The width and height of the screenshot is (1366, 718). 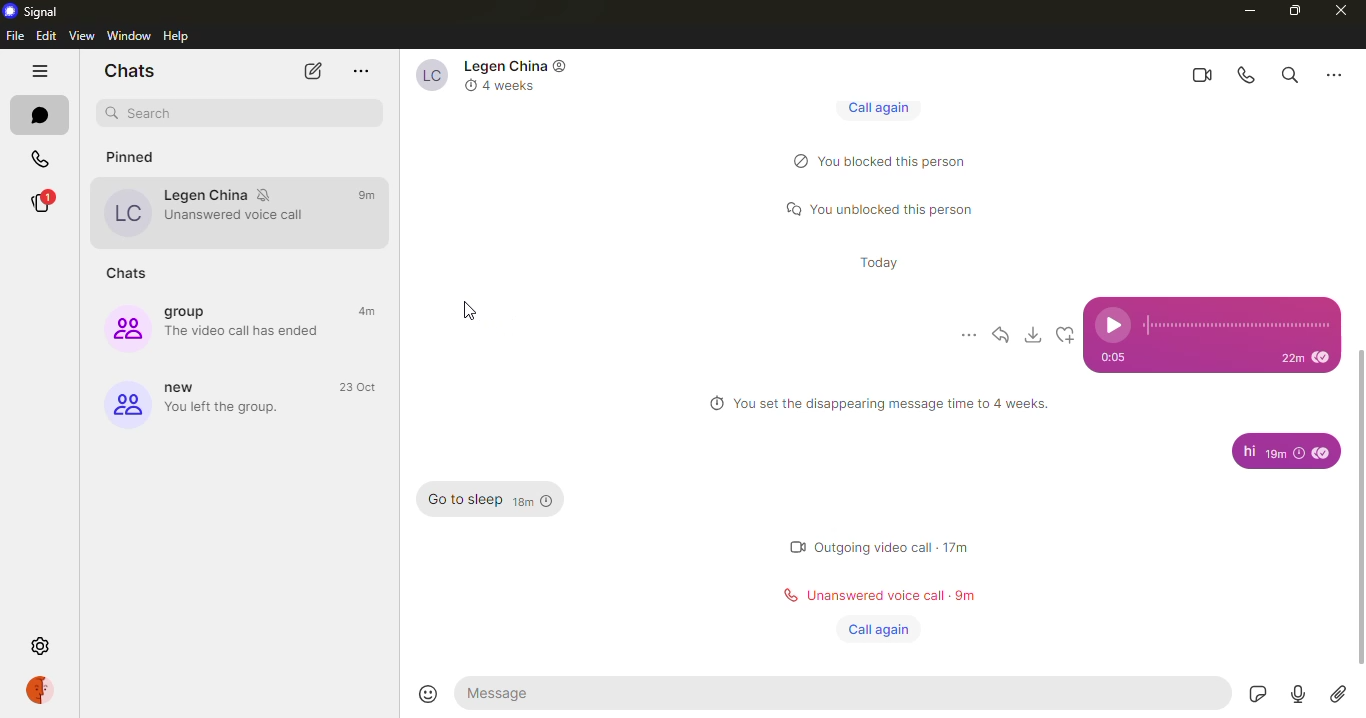 I want to click on like, so click(x=1068, y=335).